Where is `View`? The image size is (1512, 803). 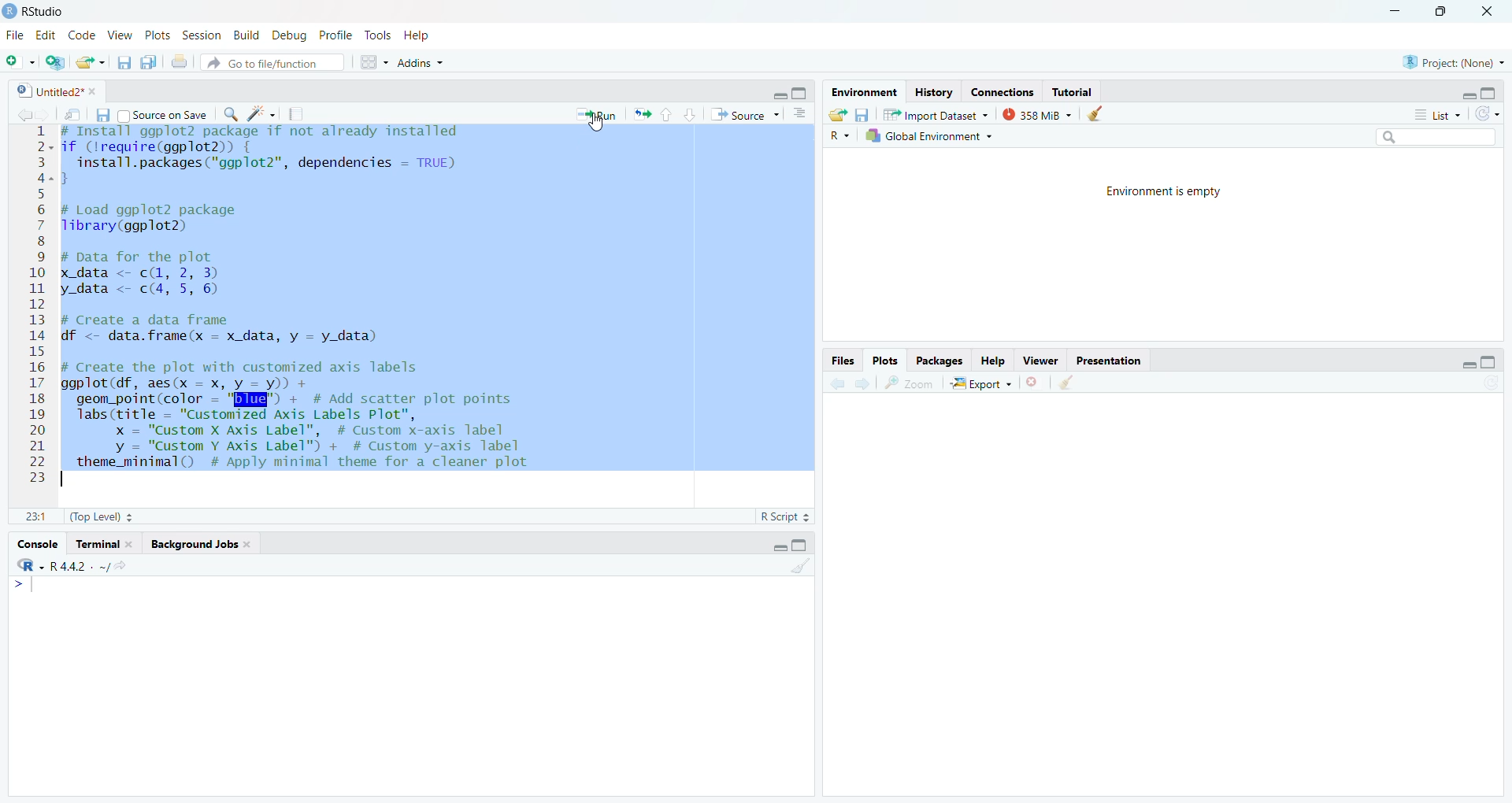 View is located at coordinates (122, 35).